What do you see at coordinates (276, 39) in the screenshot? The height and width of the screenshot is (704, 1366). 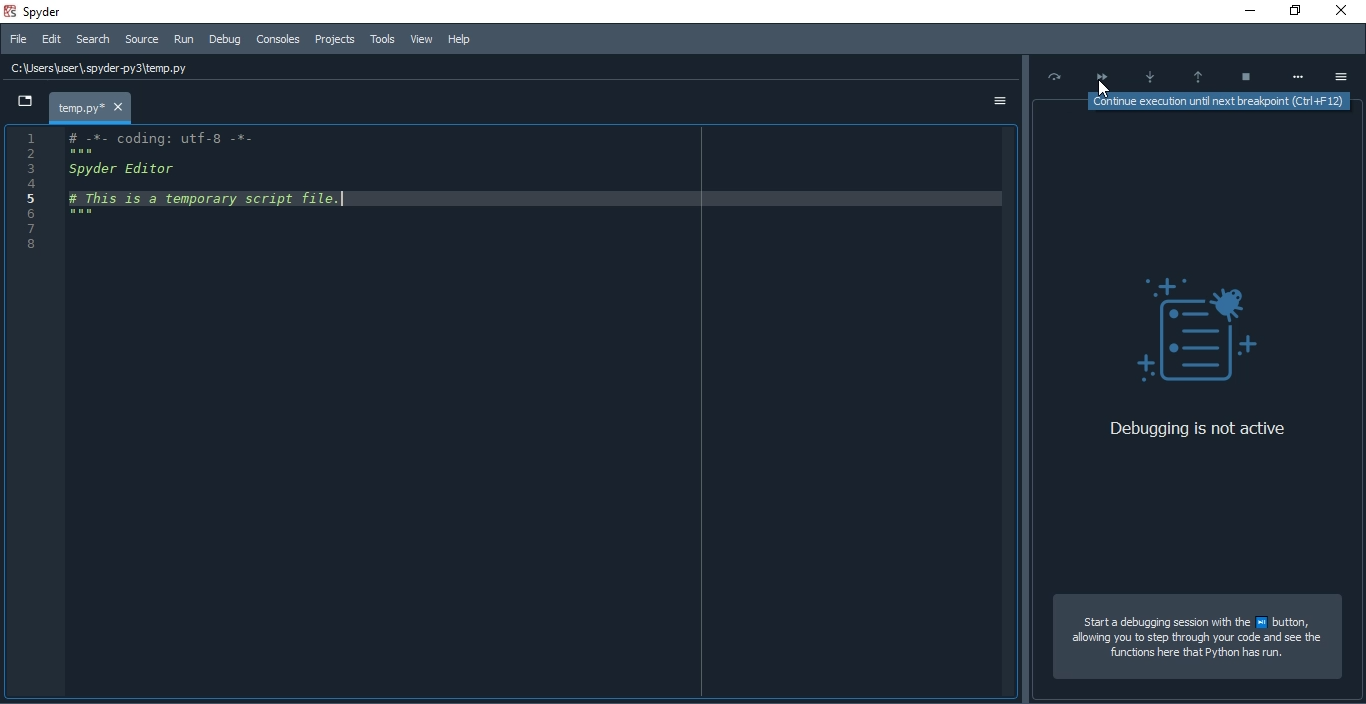 I see `Consoles` at bounding box center [276, 39].